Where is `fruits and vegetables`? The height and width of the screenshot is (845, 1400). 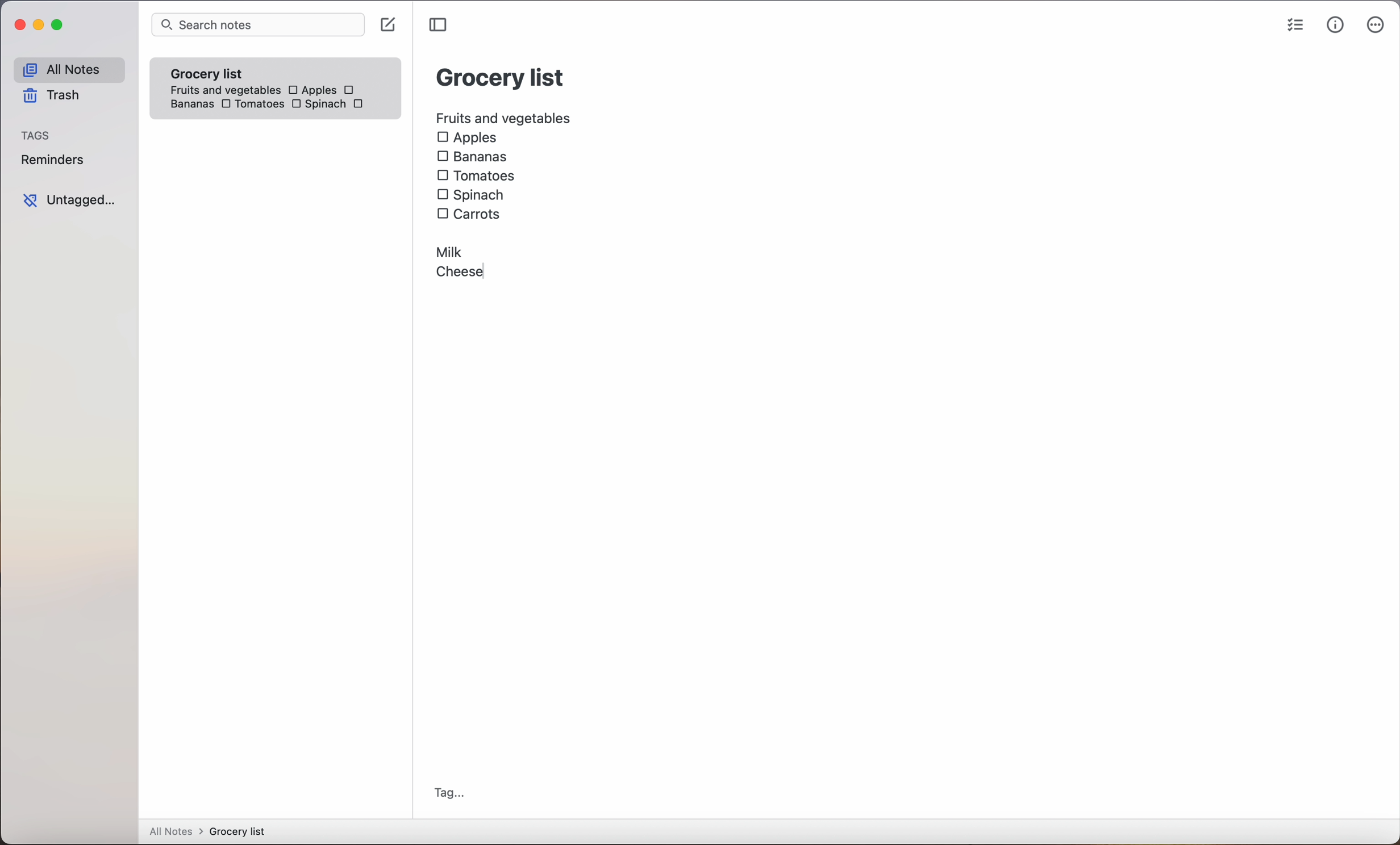 fruits and vegetables is located at coordinates (505, 116).